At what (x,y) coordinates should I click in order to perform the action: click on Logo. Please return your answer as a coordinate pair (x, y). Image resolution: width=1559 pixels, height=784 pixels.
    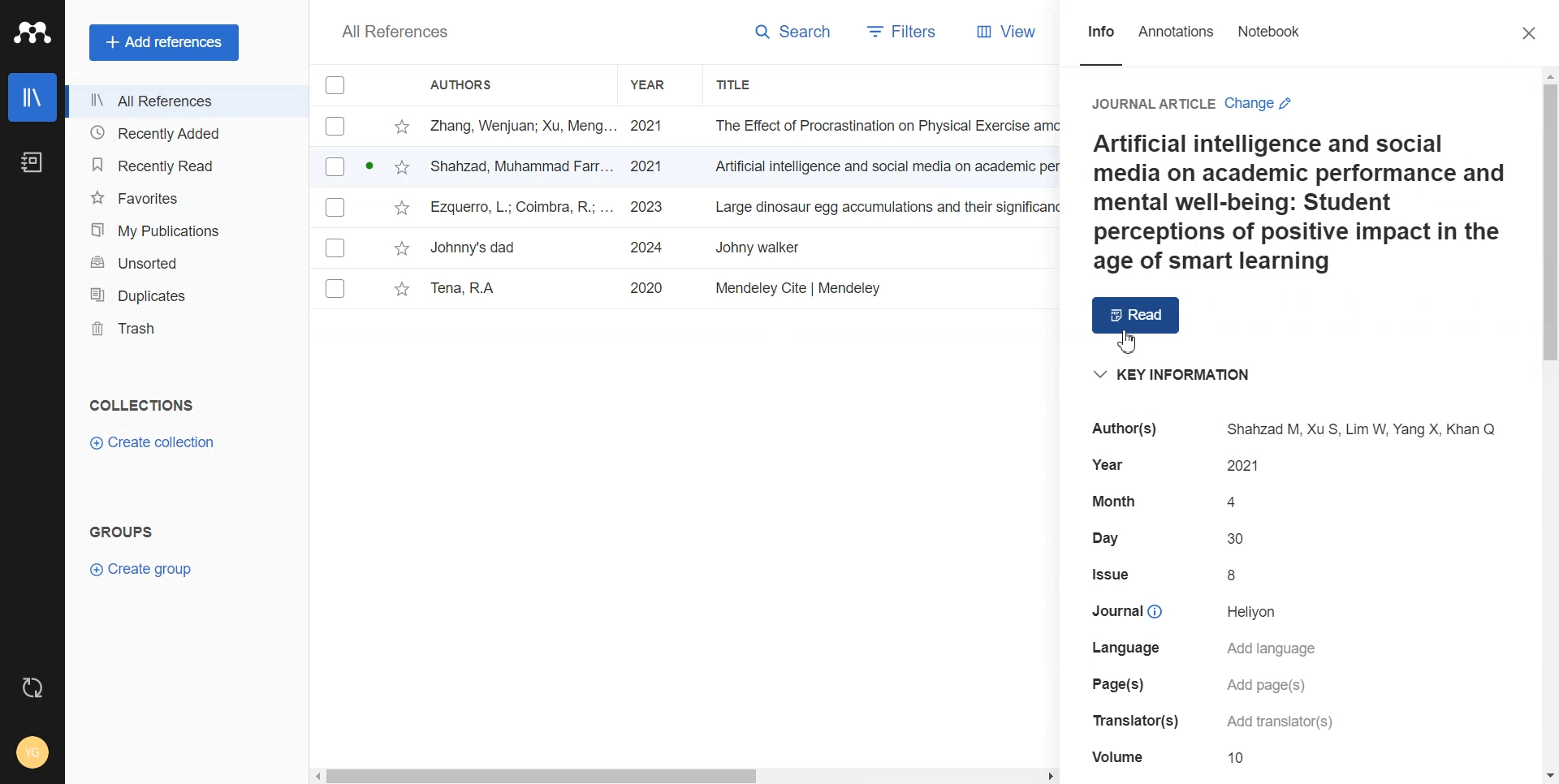
    Looking at the image, I should click on (32, 32).